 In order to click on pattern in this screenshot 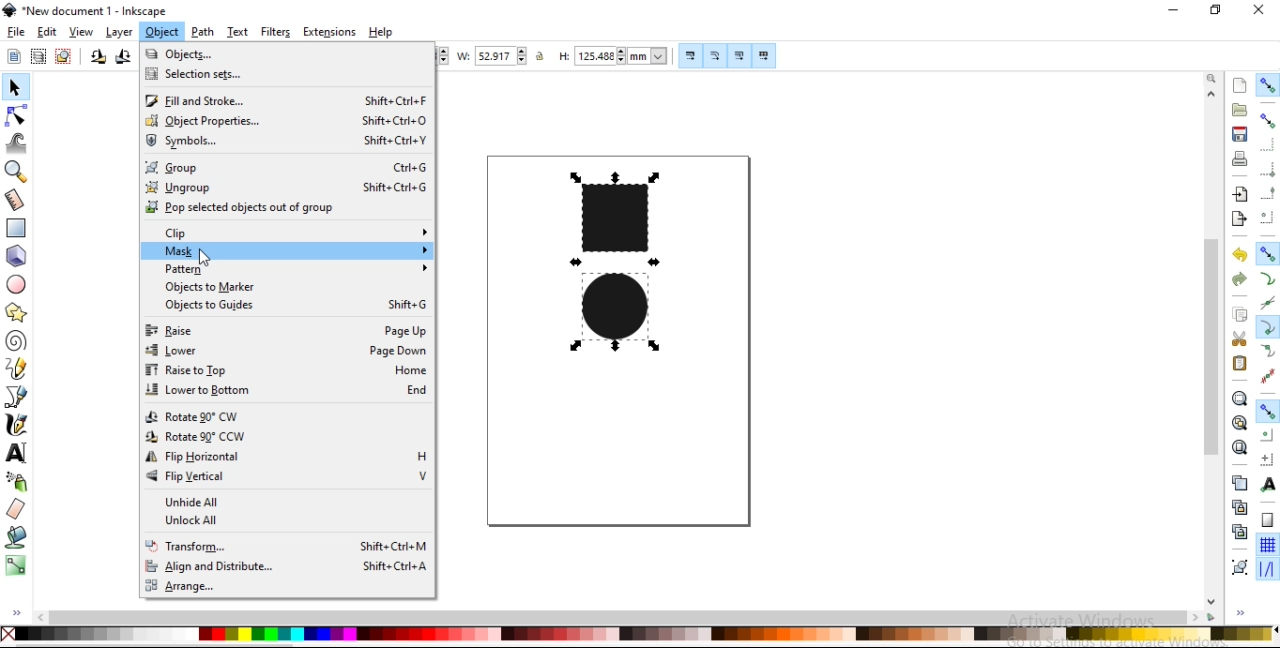, I will do `click(295, 270)`.